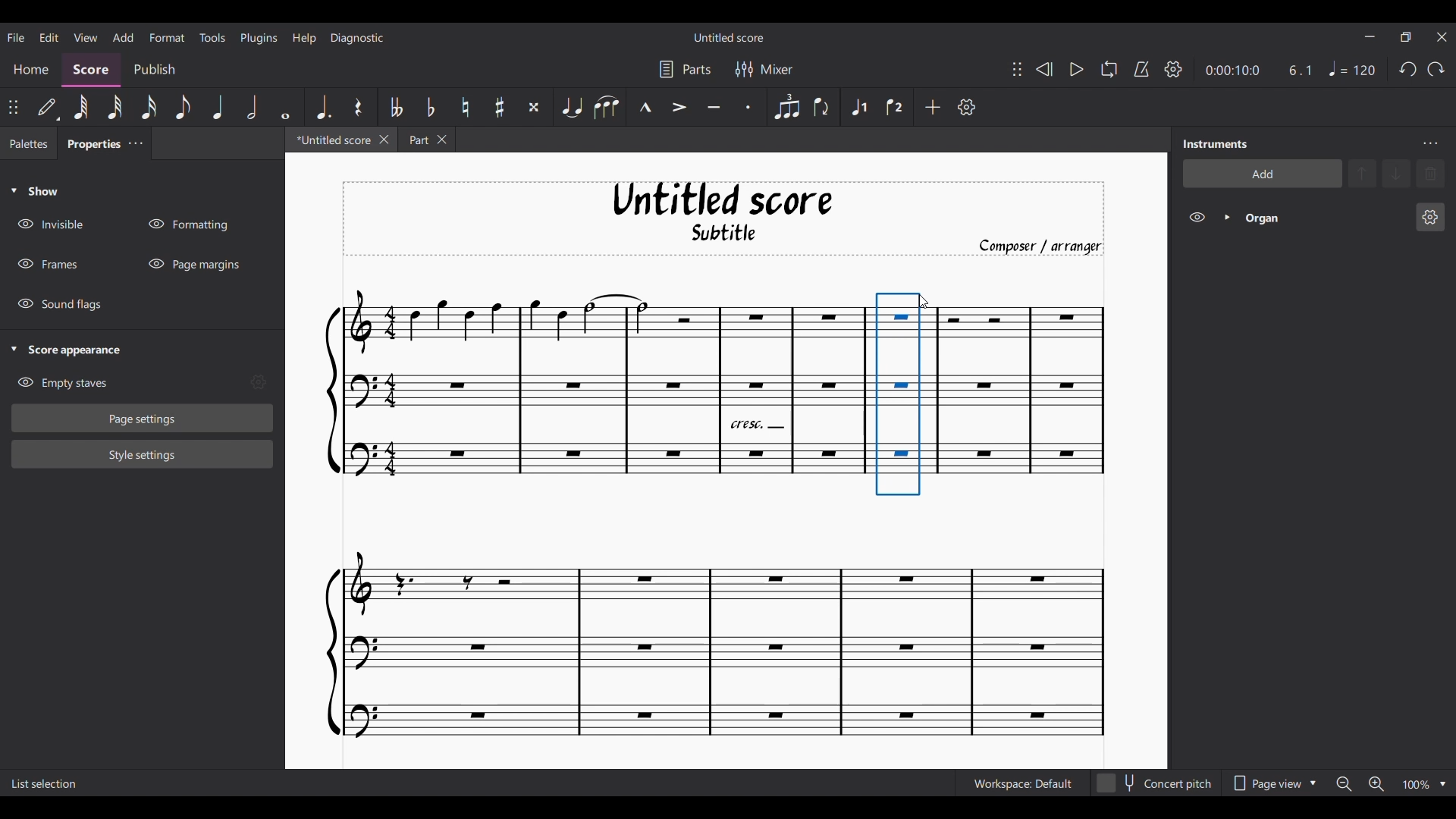 The width and height of the screenshot is (1456, 819). I want to click on Tools menu, so click(212, 36).